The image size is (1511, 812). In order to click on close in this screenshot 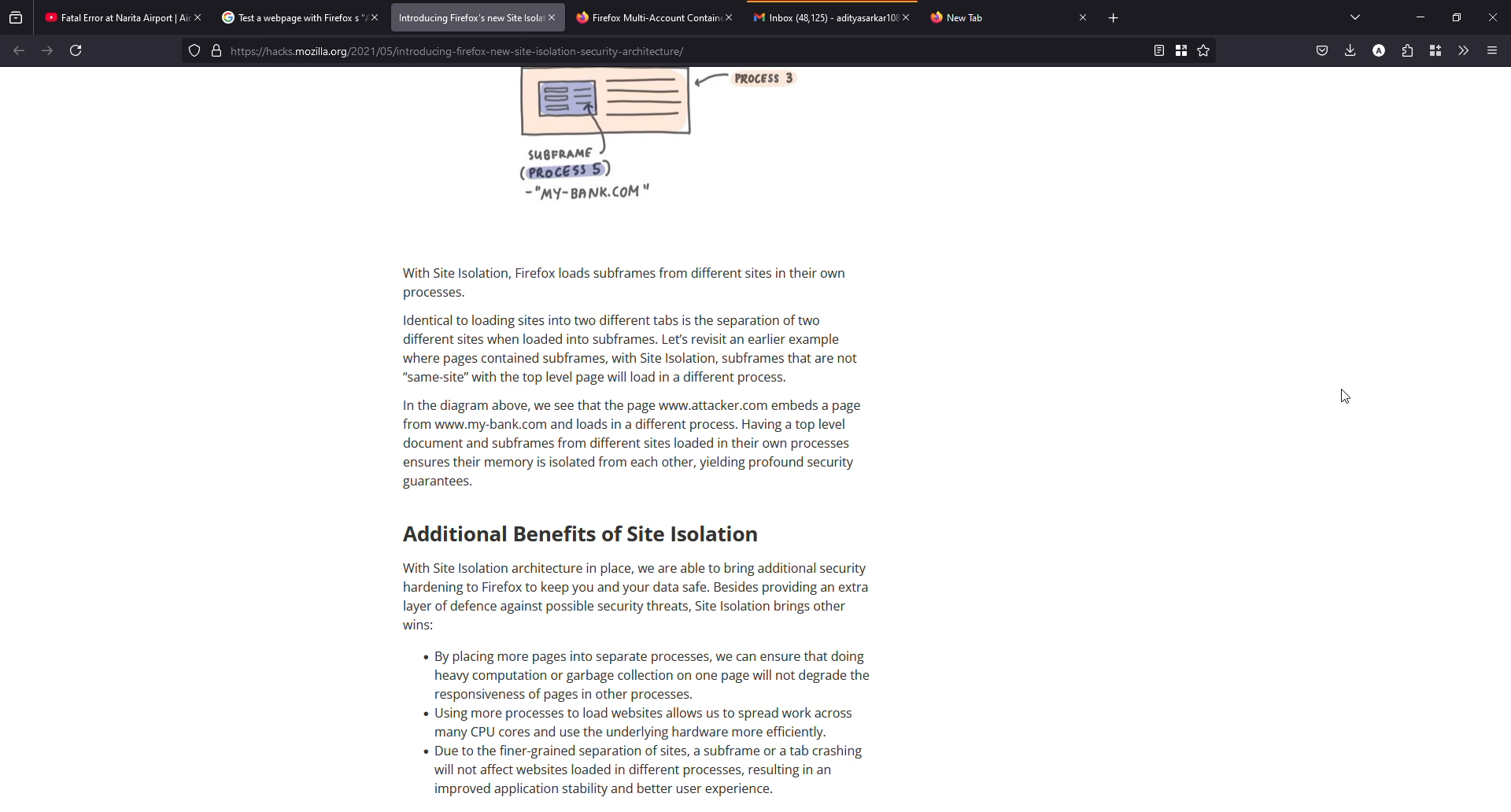, I will do `click(198, 17)`.